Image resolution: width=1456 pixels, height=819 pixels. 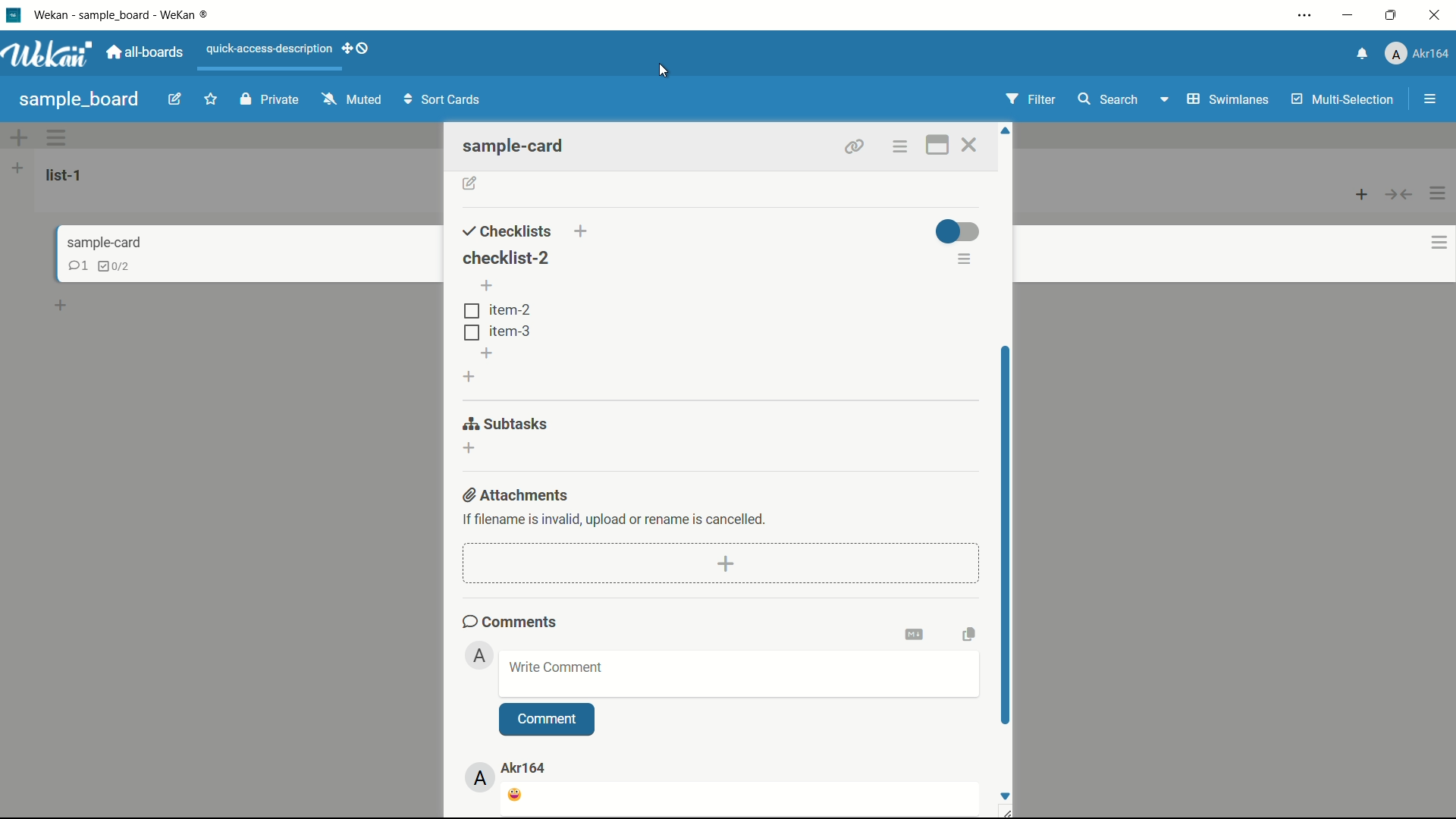 What do you see at coordinates (131, 14) in the screenshot?
I see `app name` at bounding box center [131, 14].